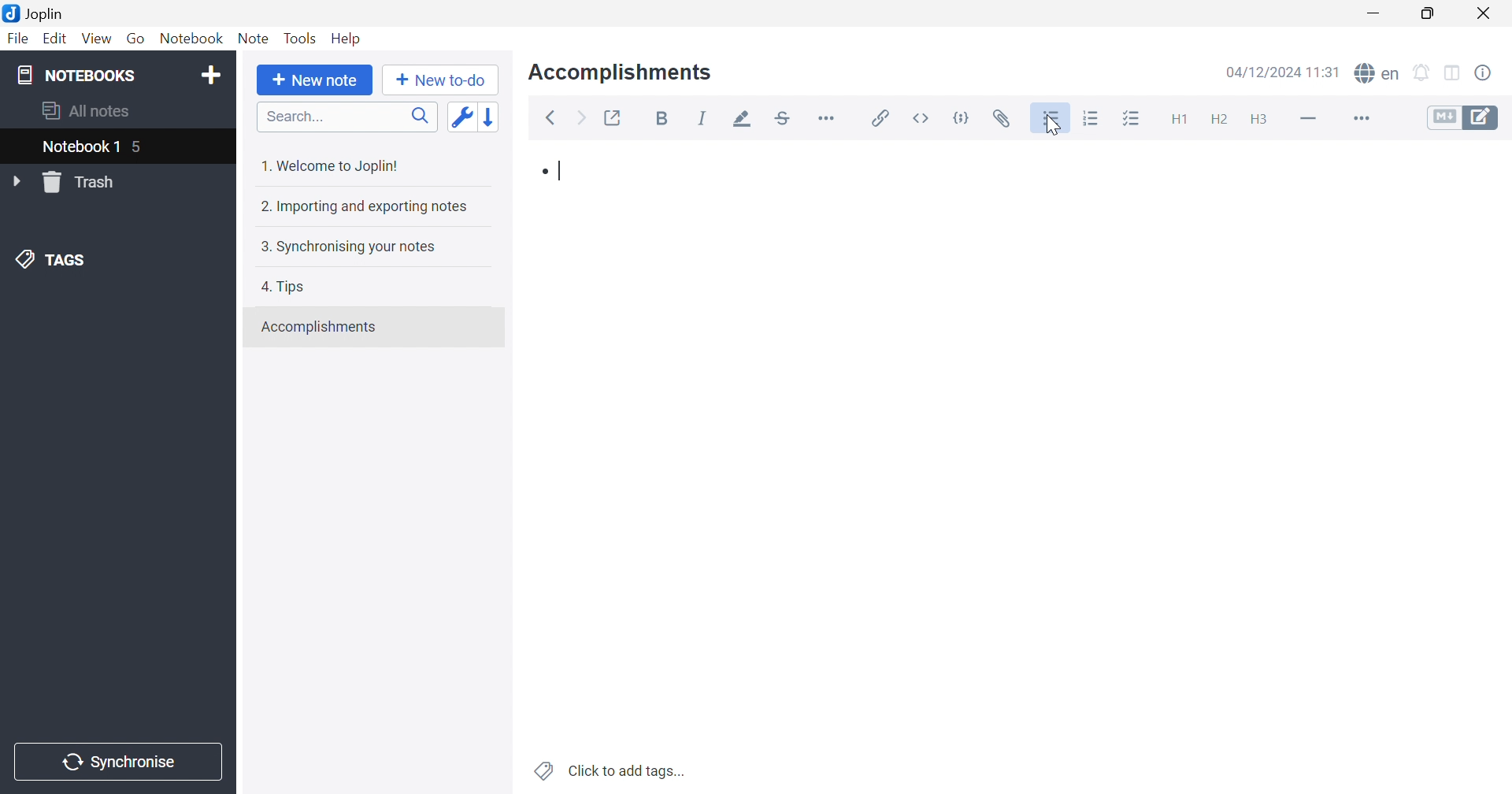  I want to click on Forward, so click(580, 117).